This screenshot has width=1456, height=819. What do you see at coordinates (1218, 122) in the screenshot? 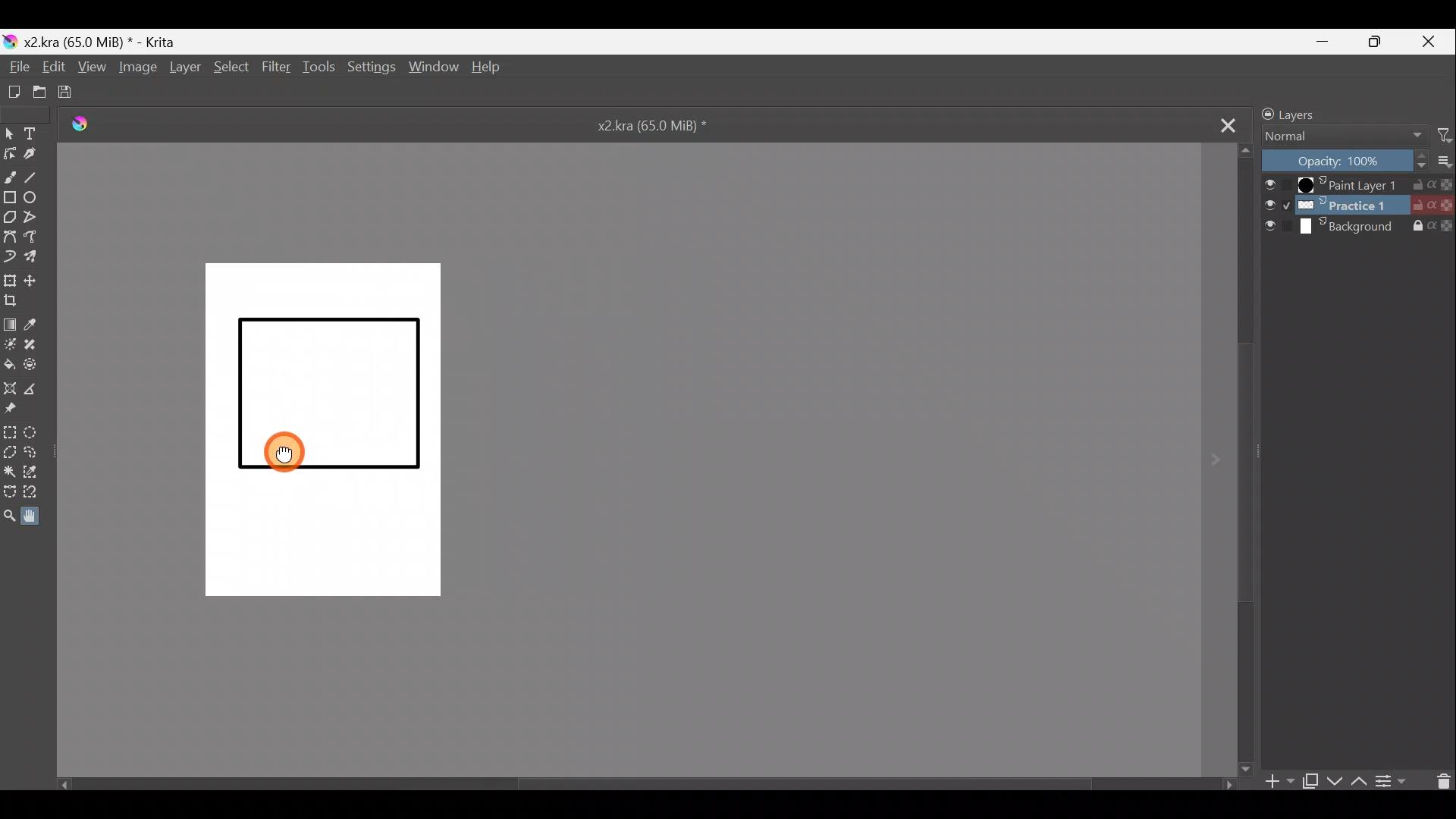
I see `Close tab` at bounding box center [1218, 122].